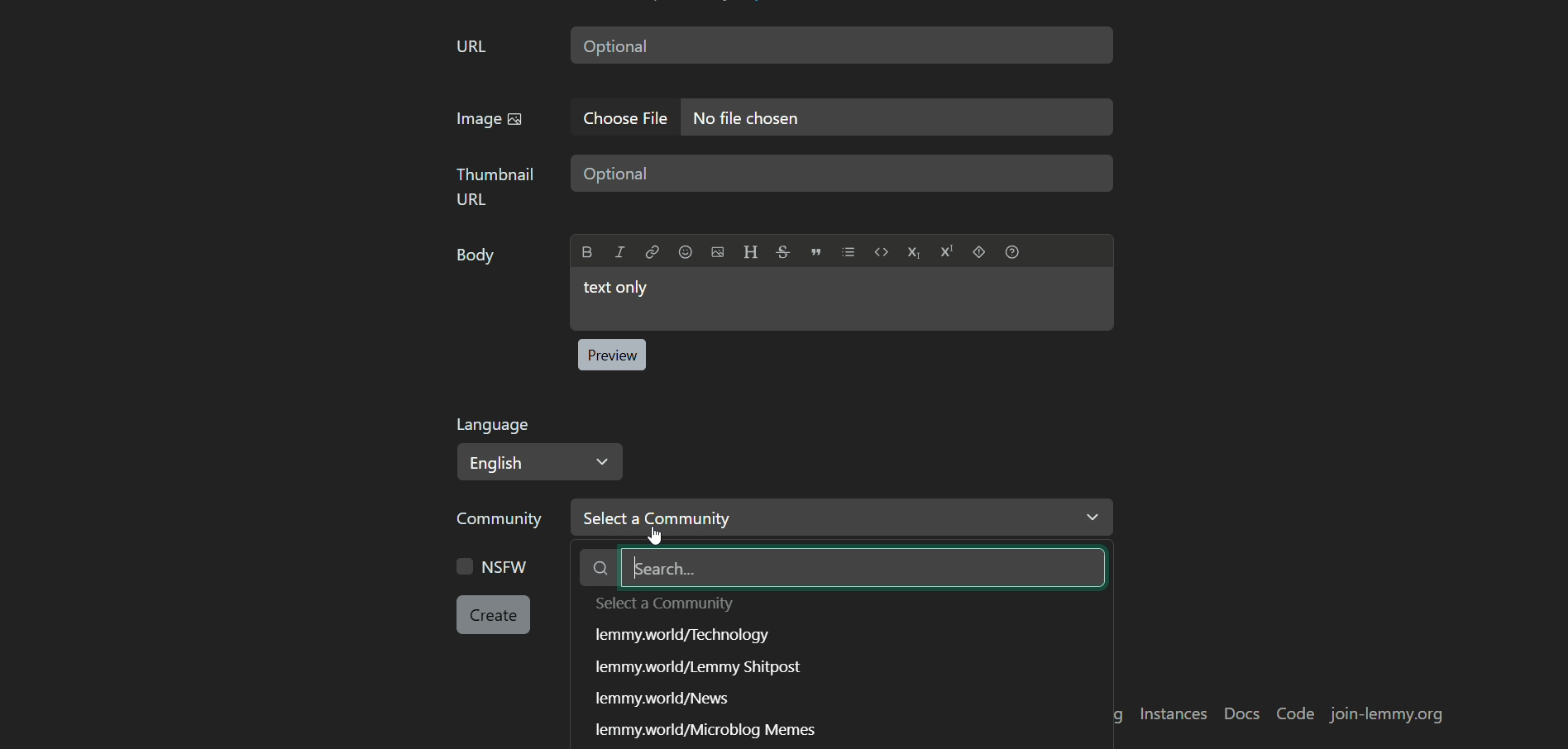 This screenshot has width=1568, height=749. I want to click on text box, so click(842, 45).